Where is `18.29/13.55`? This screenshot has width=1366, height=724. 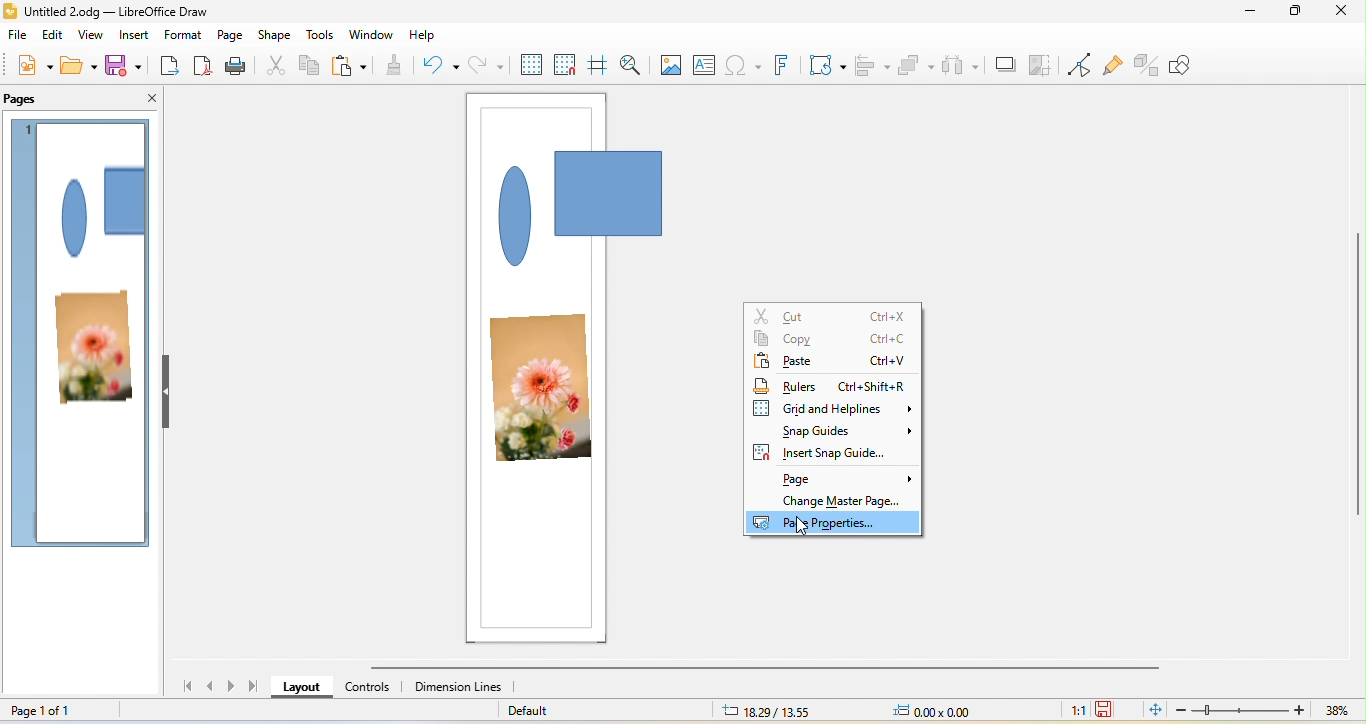 18.29/13.55 is located at coordinates (759, 712).